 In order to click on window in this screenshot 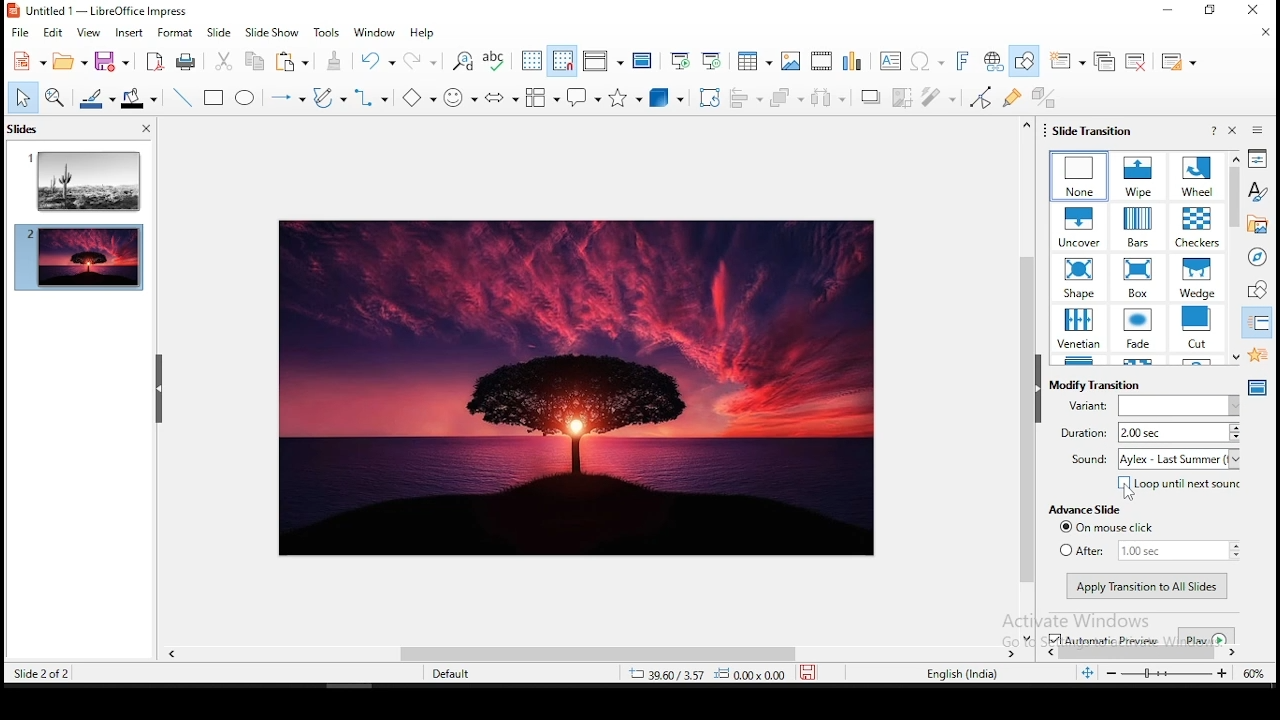, I will do `click(375, 33)`.